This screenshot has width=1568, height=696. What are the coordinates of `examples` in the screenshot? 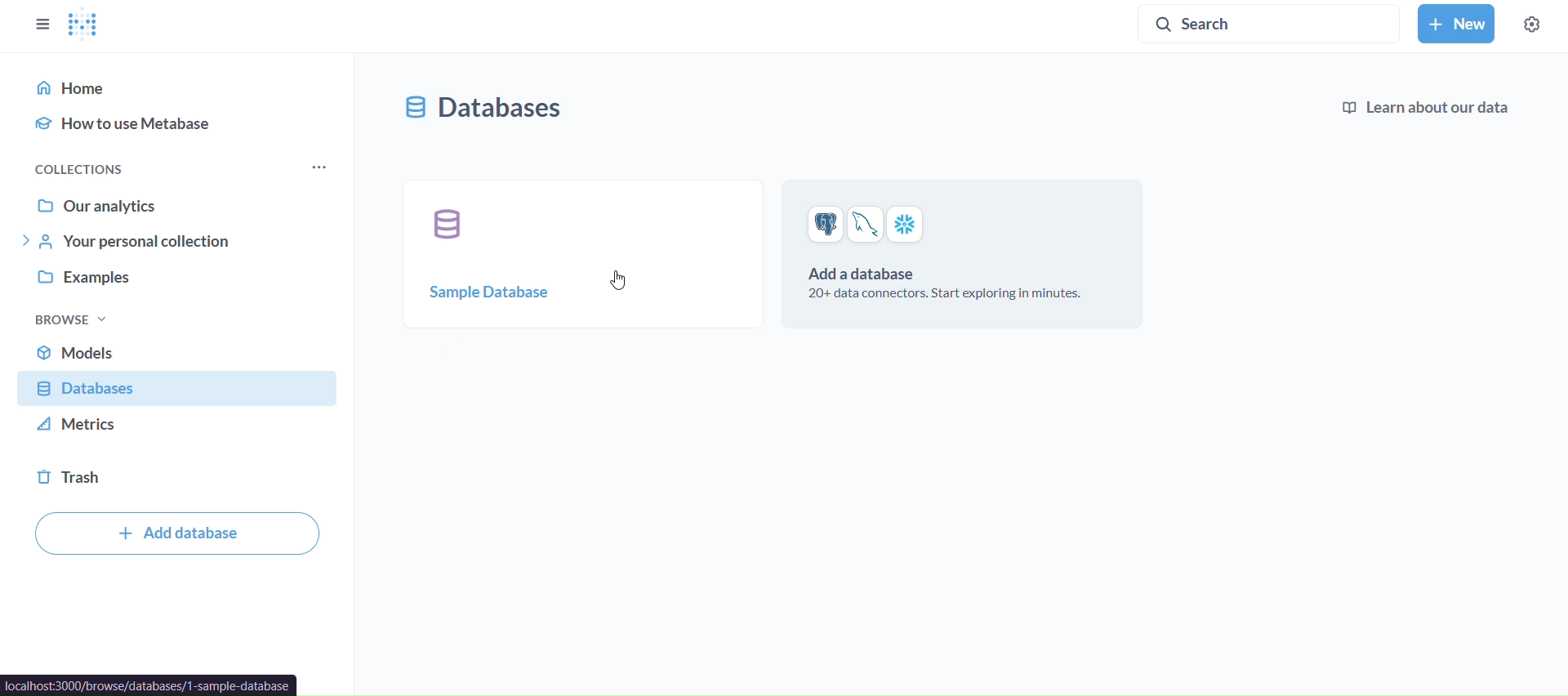 It's located at (180, 284).